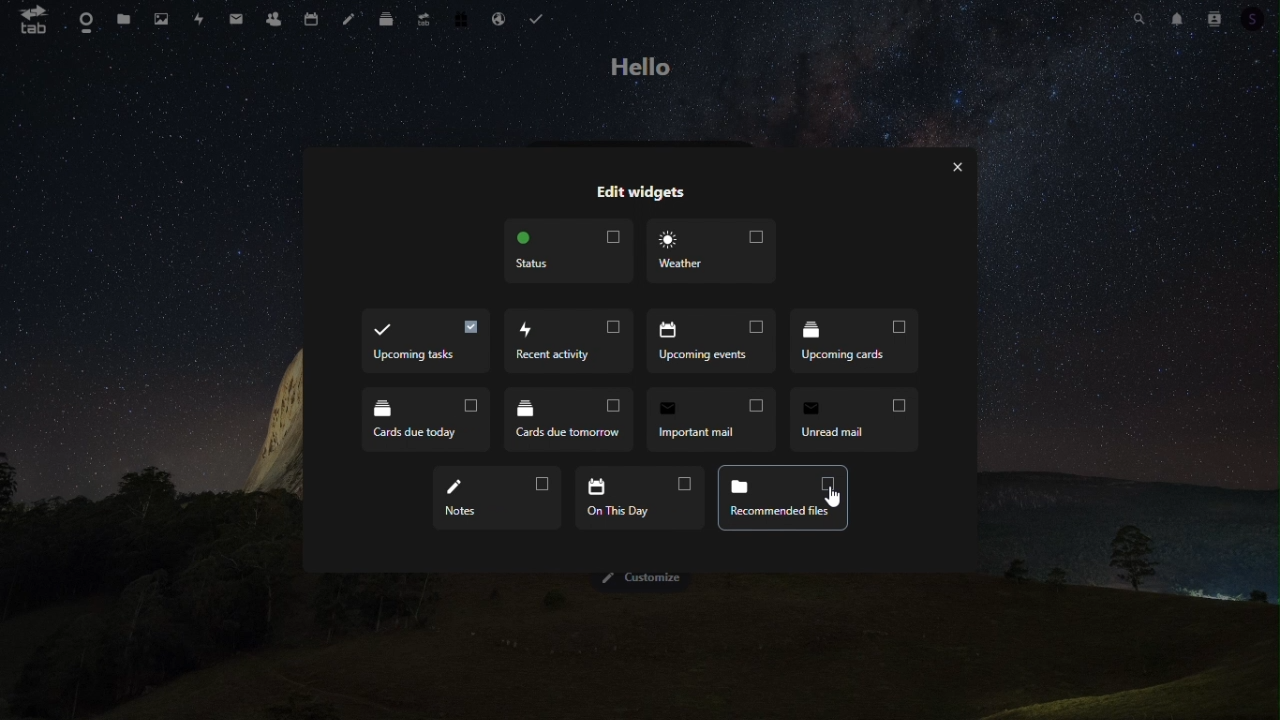 The height and width of the screenshot is (720, 1280). I want to click on search, so click(1140, 20).